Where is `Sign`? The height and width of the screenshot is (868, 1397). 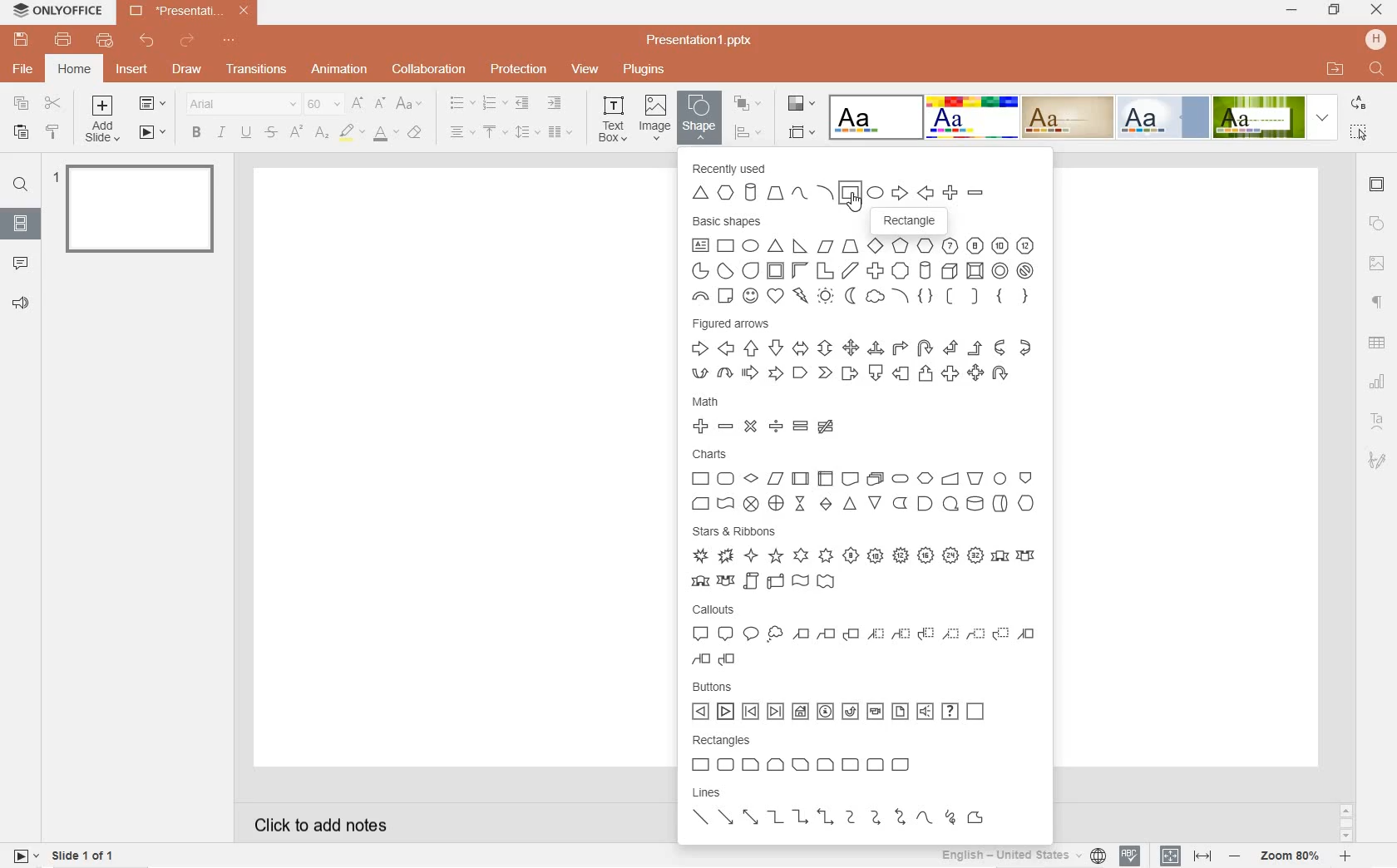
Sign is located at coordinates (900, 272).